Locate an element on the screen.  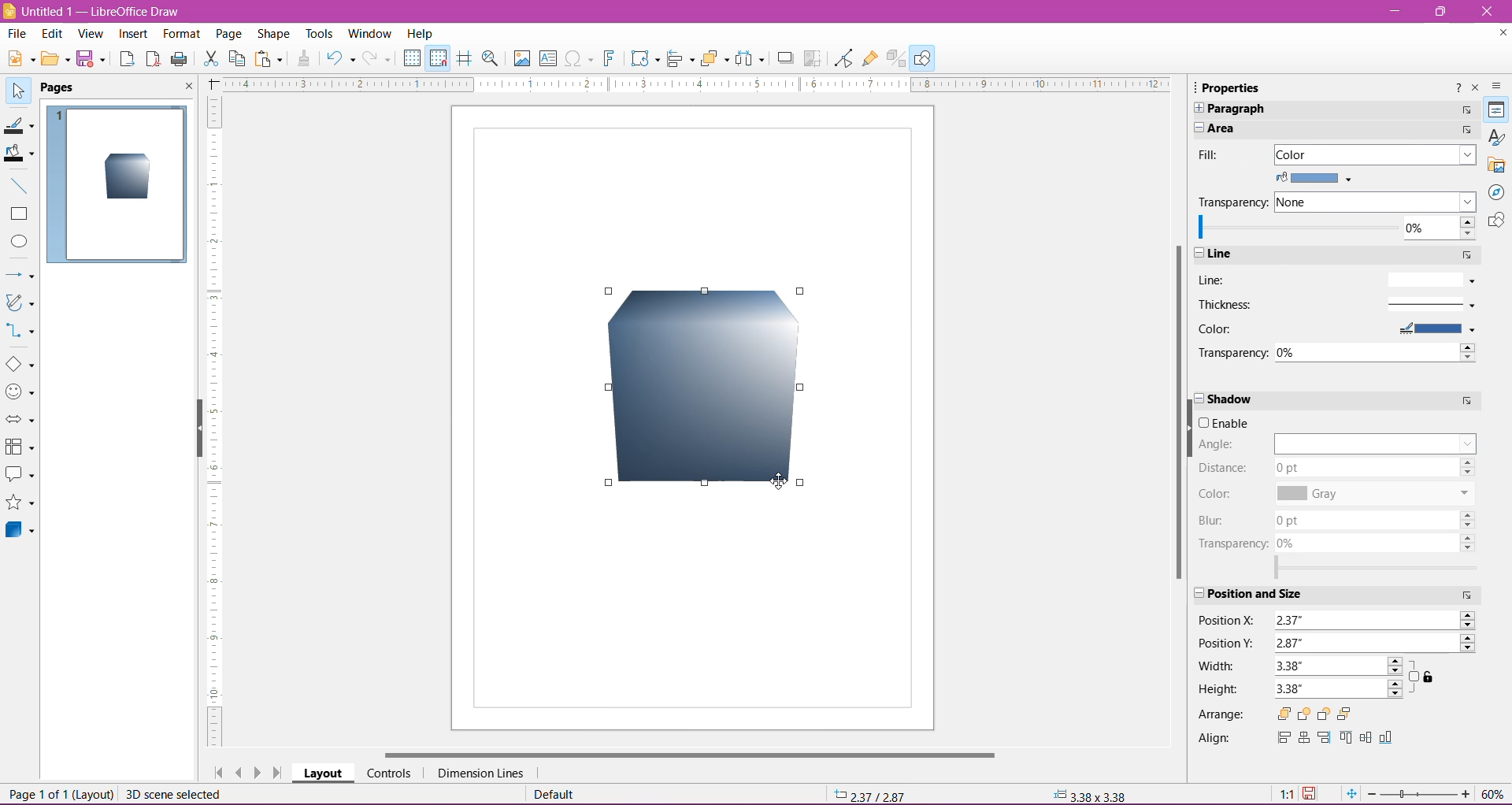
Set shadow blur is located at coordinates (1373, 517).